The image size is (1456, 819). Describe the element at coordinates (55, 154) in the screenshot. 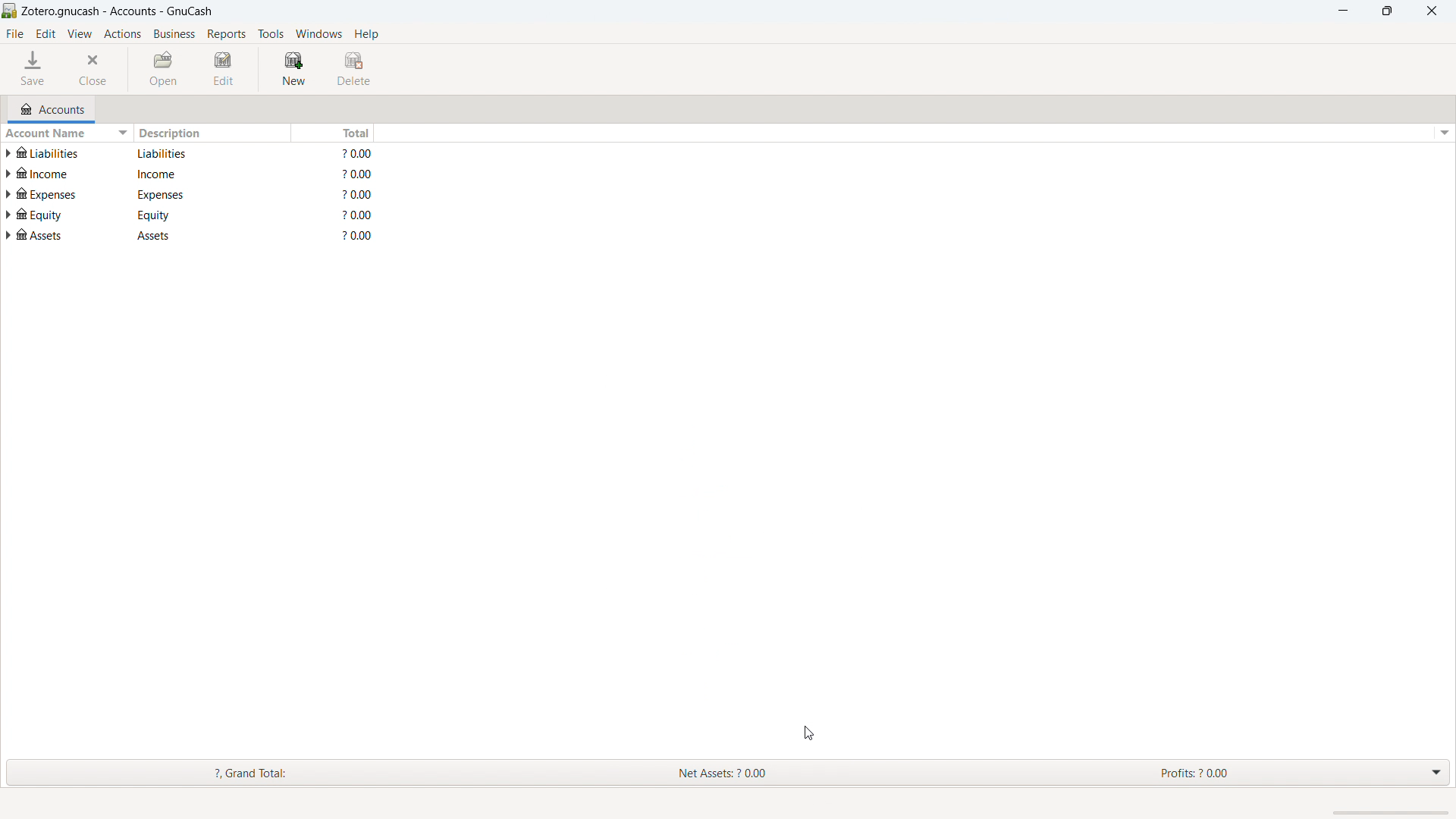

I see `account name` at that location.